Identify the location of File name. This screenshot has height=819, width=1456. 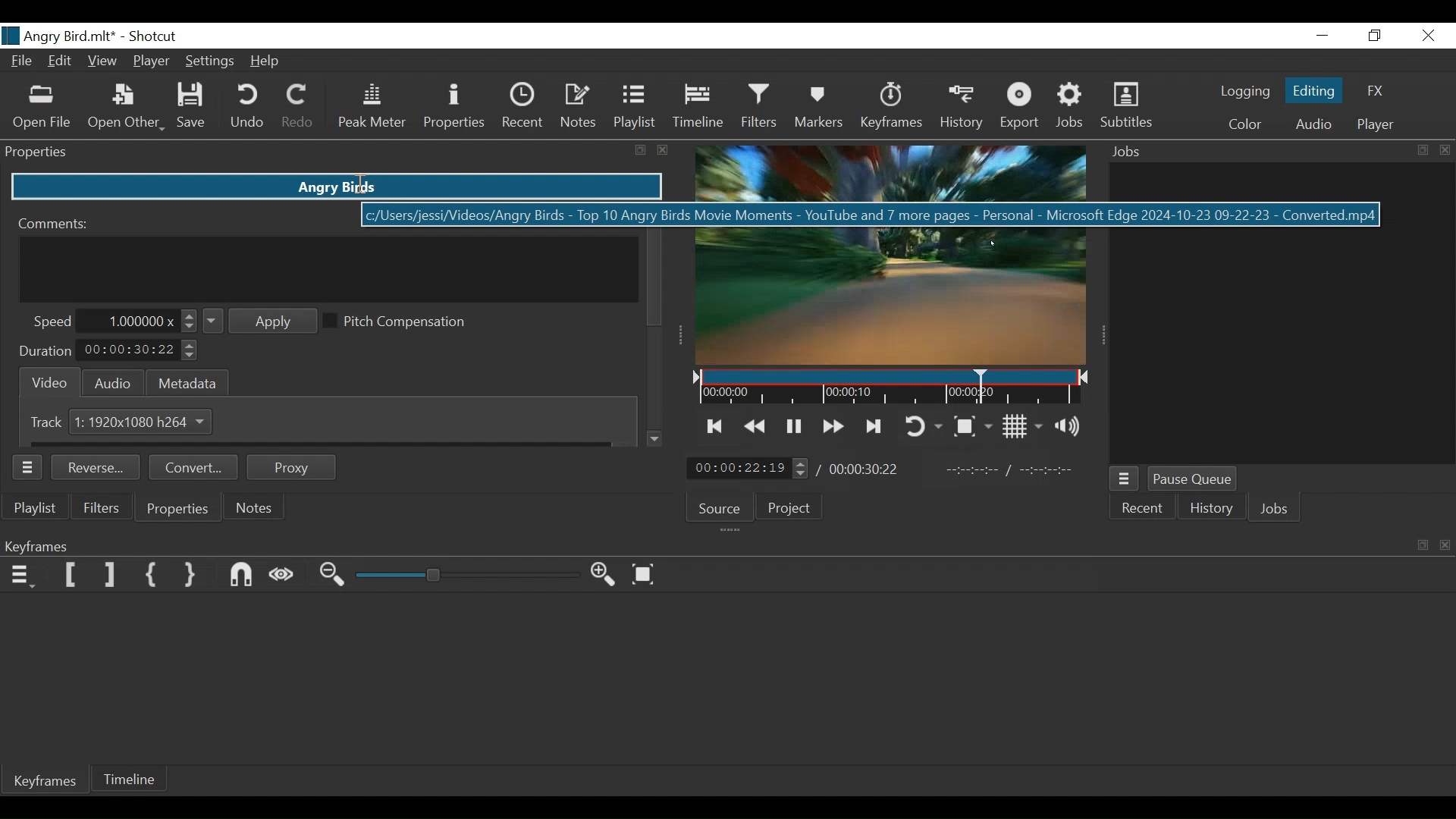
(58, 36).